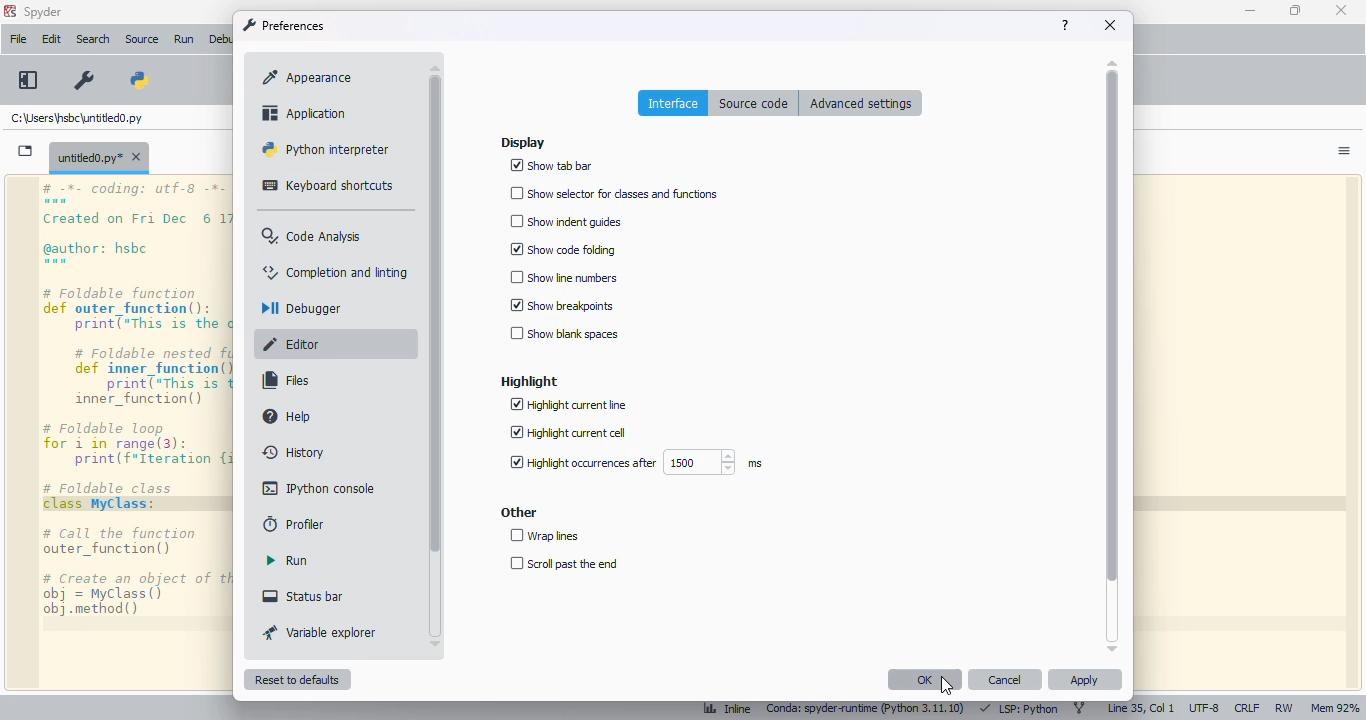 The width and height of the screenshot is (1366, 720). I want to click on apply, so click(1084, 679).